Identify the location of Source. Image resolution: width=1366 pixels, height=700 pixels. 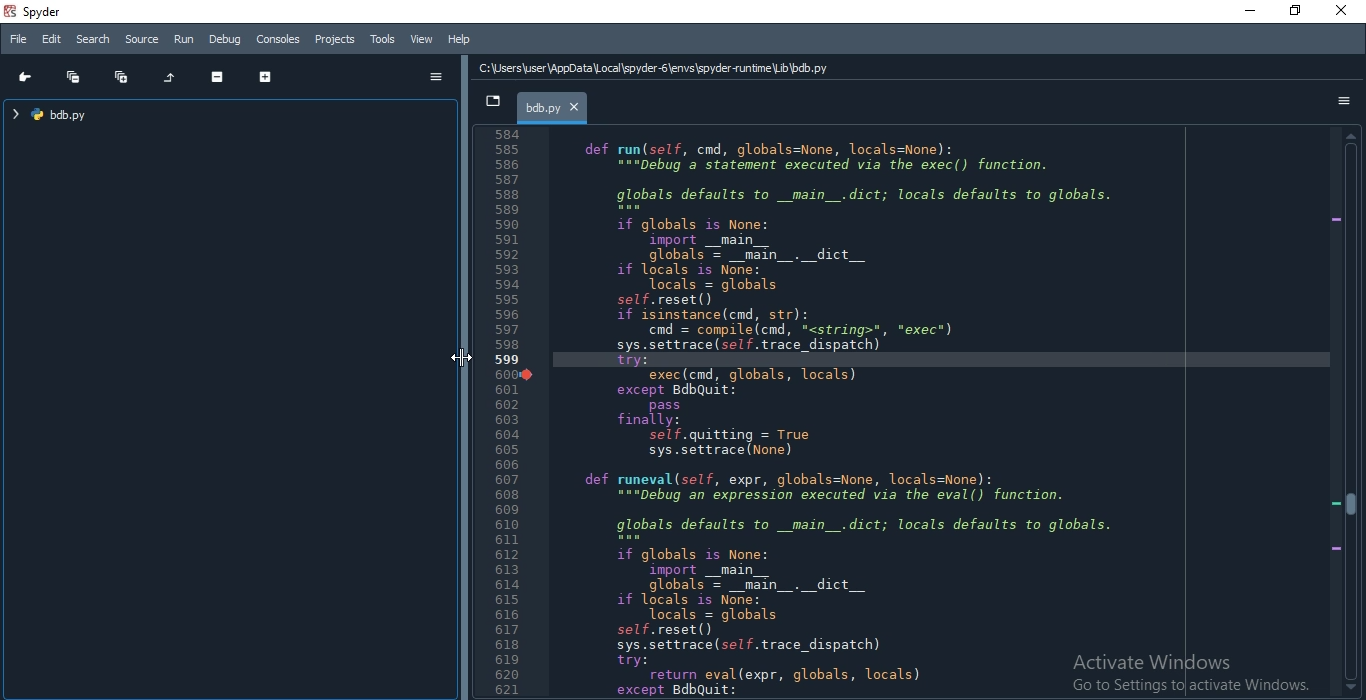
(141, 40).